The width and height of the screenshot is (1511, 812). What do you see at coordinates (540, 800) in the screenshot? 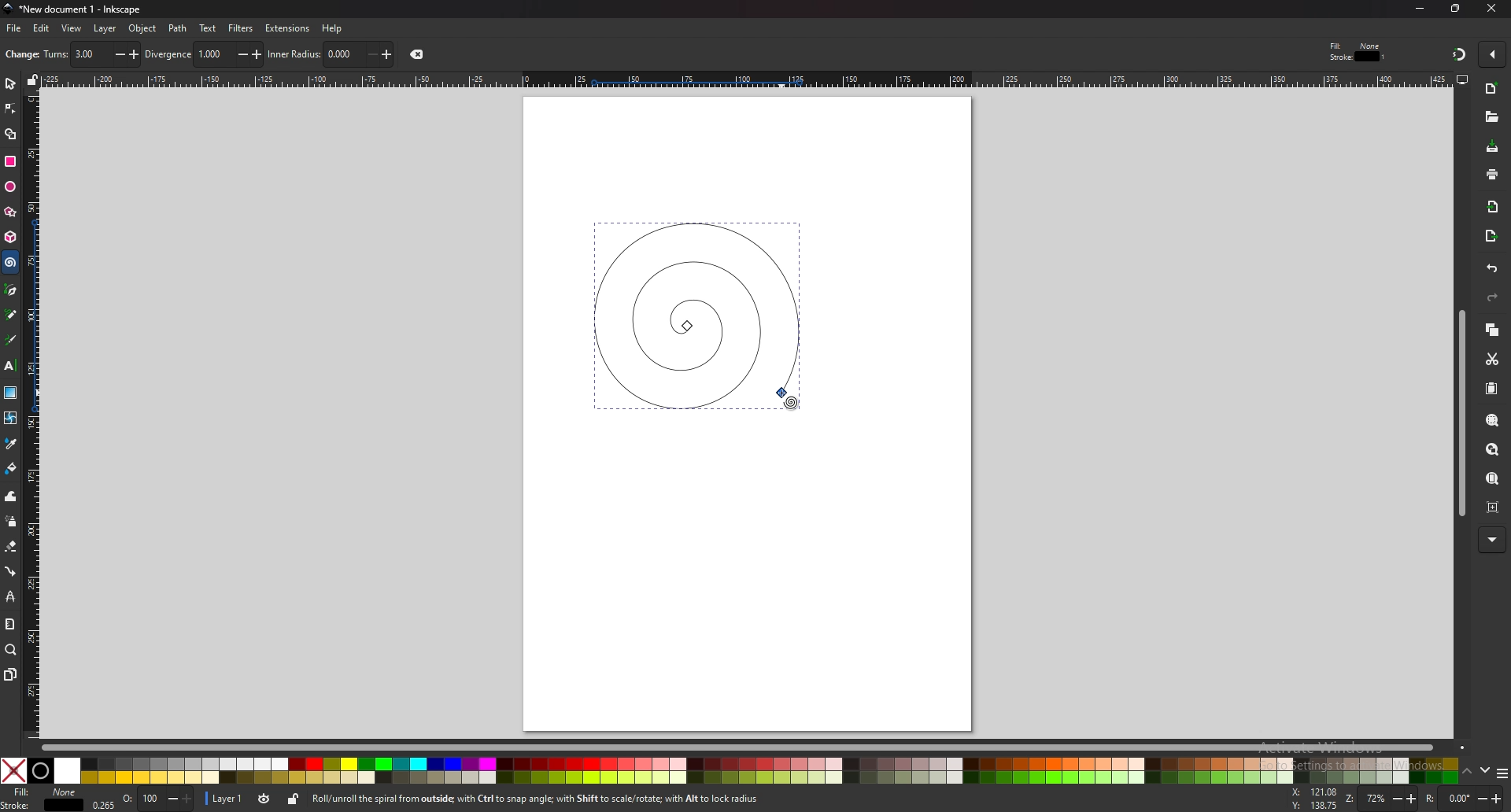
I see `Roll/Unroll the spiral from outside; with Ctrl to snap angle; with Shift to scale/rotate; with Alt to lock radius` at bounding box center [540, 800].